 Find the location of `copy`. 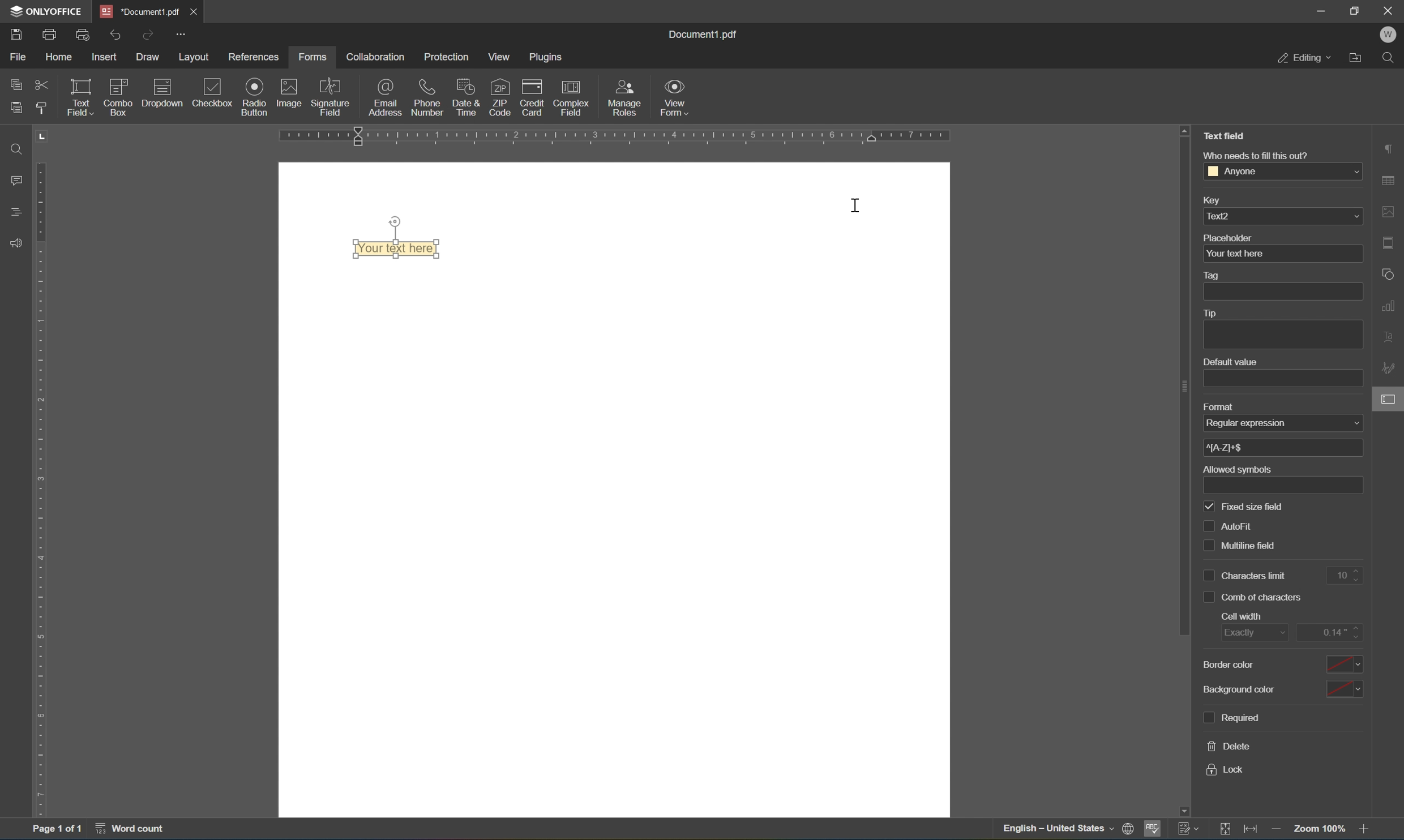

copy is located at coordinates (13, 84).